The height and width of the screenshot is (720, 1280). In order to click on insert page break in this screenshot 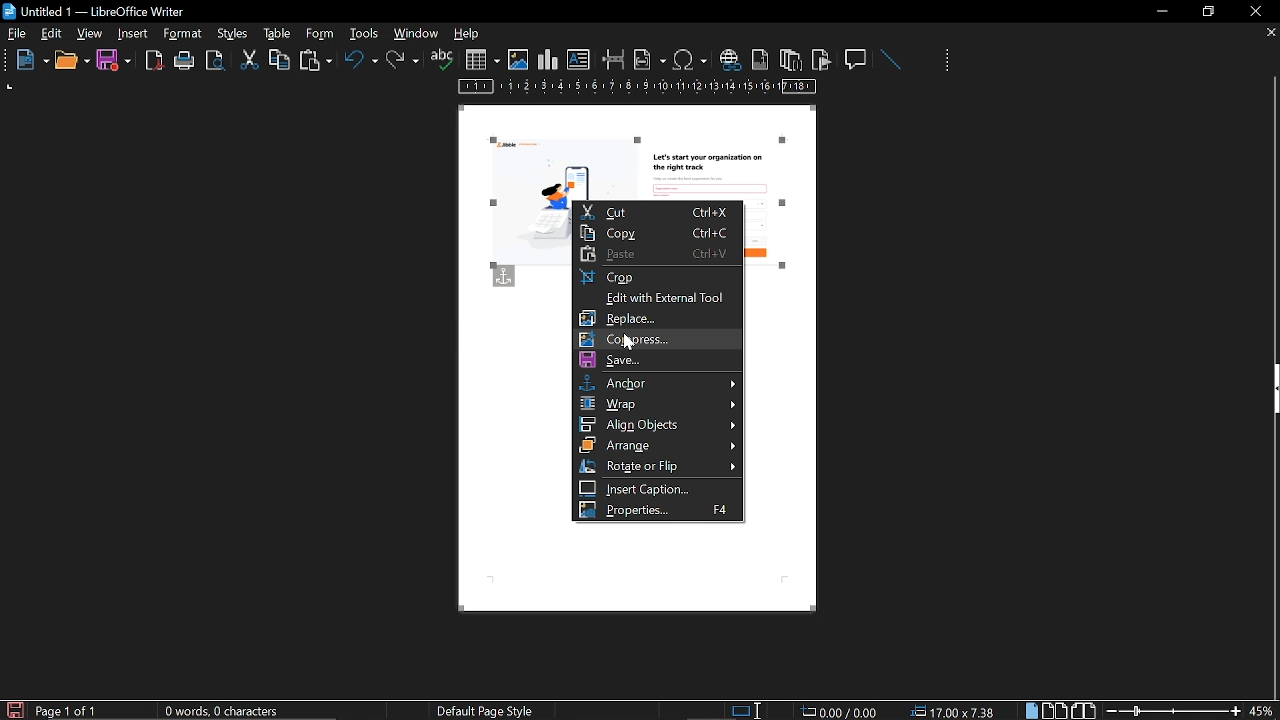, I will do `click(614, 60)`.